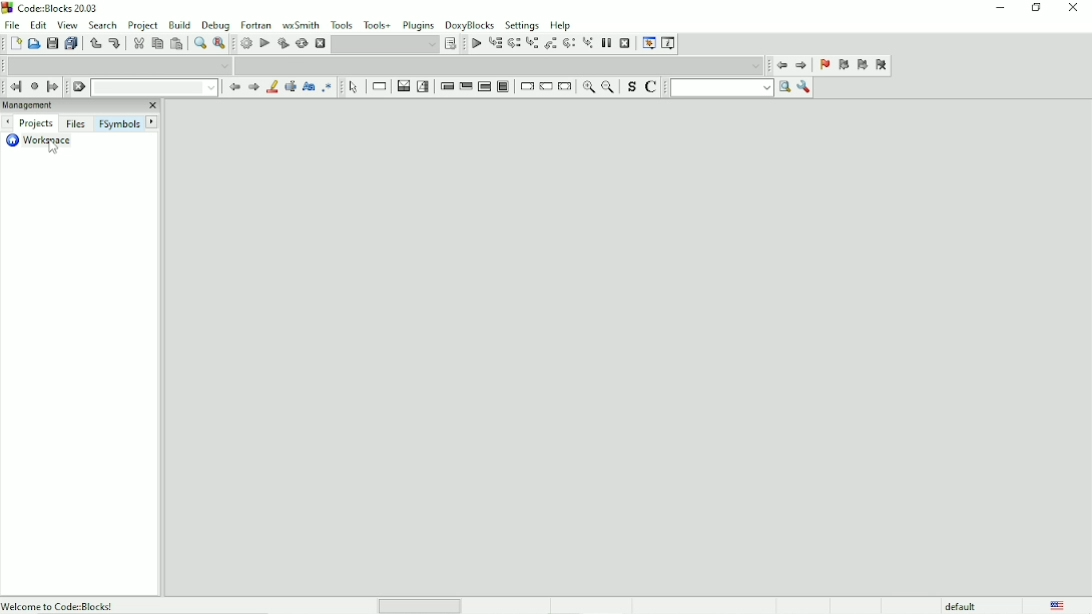  I want to click on Exit condition loop, so click(466, 87).